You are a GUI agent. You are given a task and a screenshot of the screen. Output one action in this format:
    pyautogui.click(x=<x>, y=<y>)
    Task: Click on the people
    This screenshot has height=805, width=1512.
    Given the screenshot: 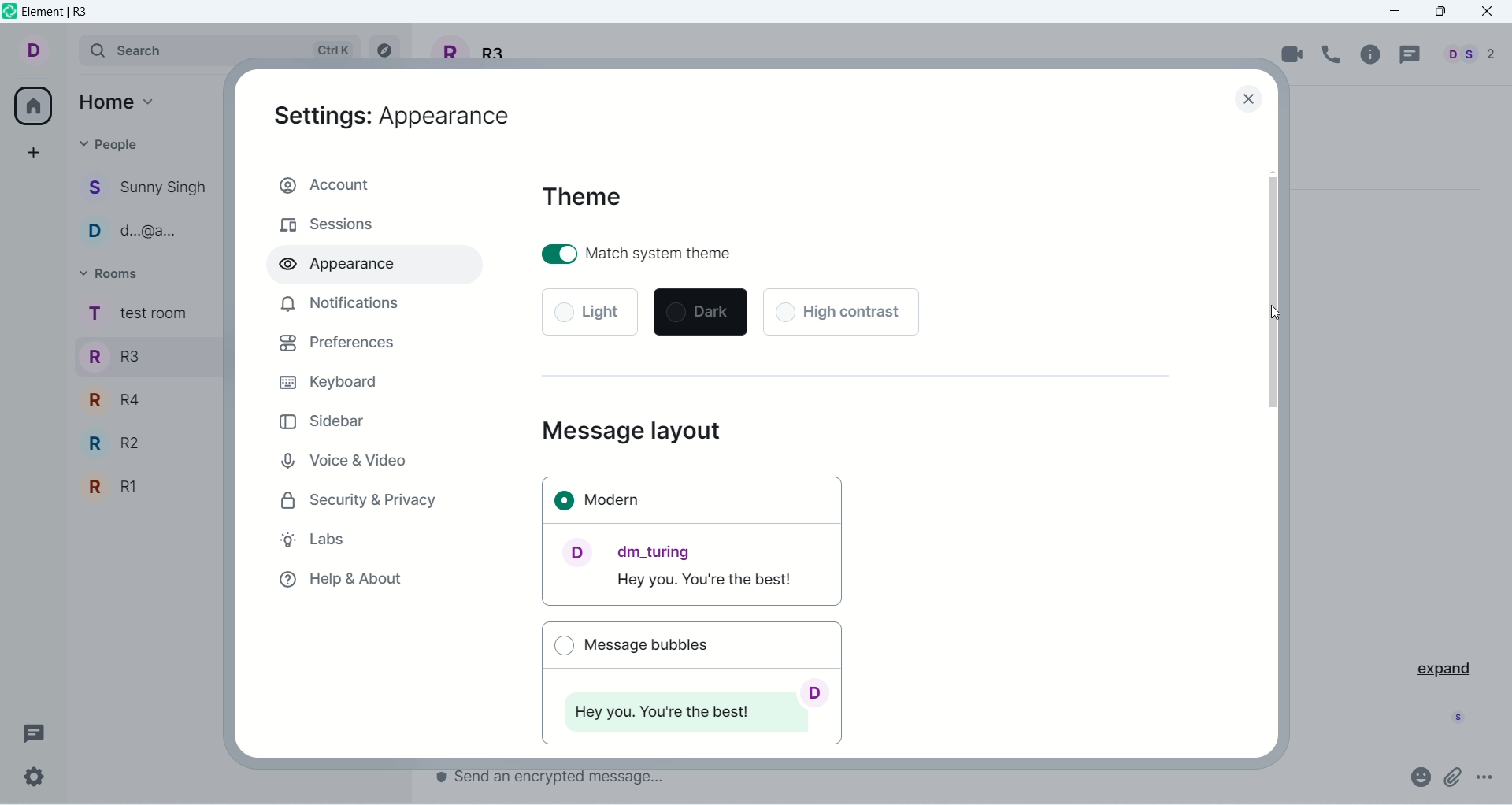 What is the action you would take?
    pyautogui.click(x=147, y=190)
    